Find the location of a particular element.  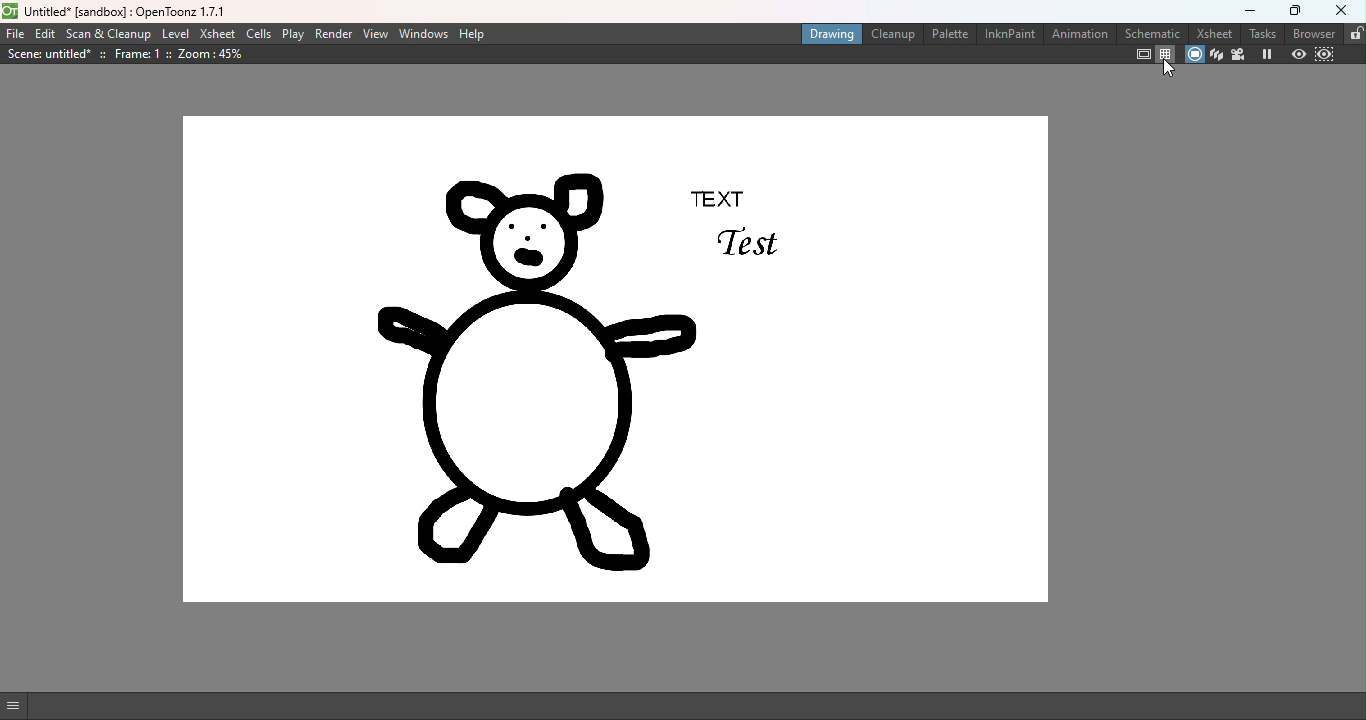

Sub-camera preview is located at coordinates (1328, 54).